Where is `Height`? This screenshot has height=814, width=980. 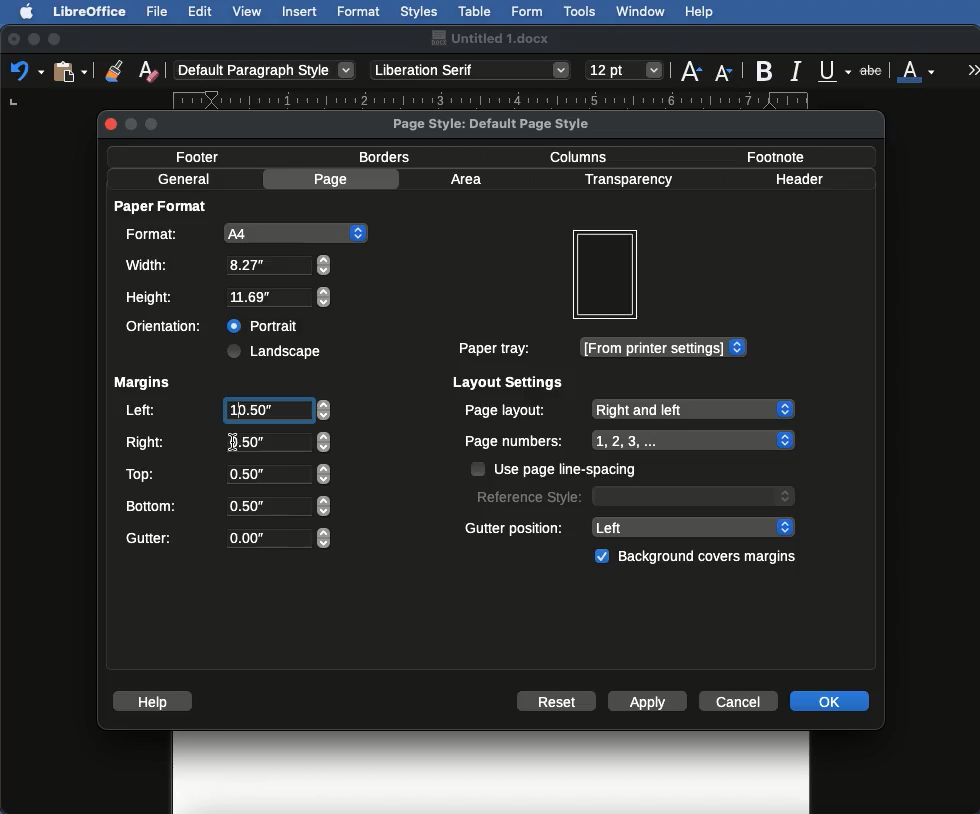 Height is located at coordinates (229, 298).